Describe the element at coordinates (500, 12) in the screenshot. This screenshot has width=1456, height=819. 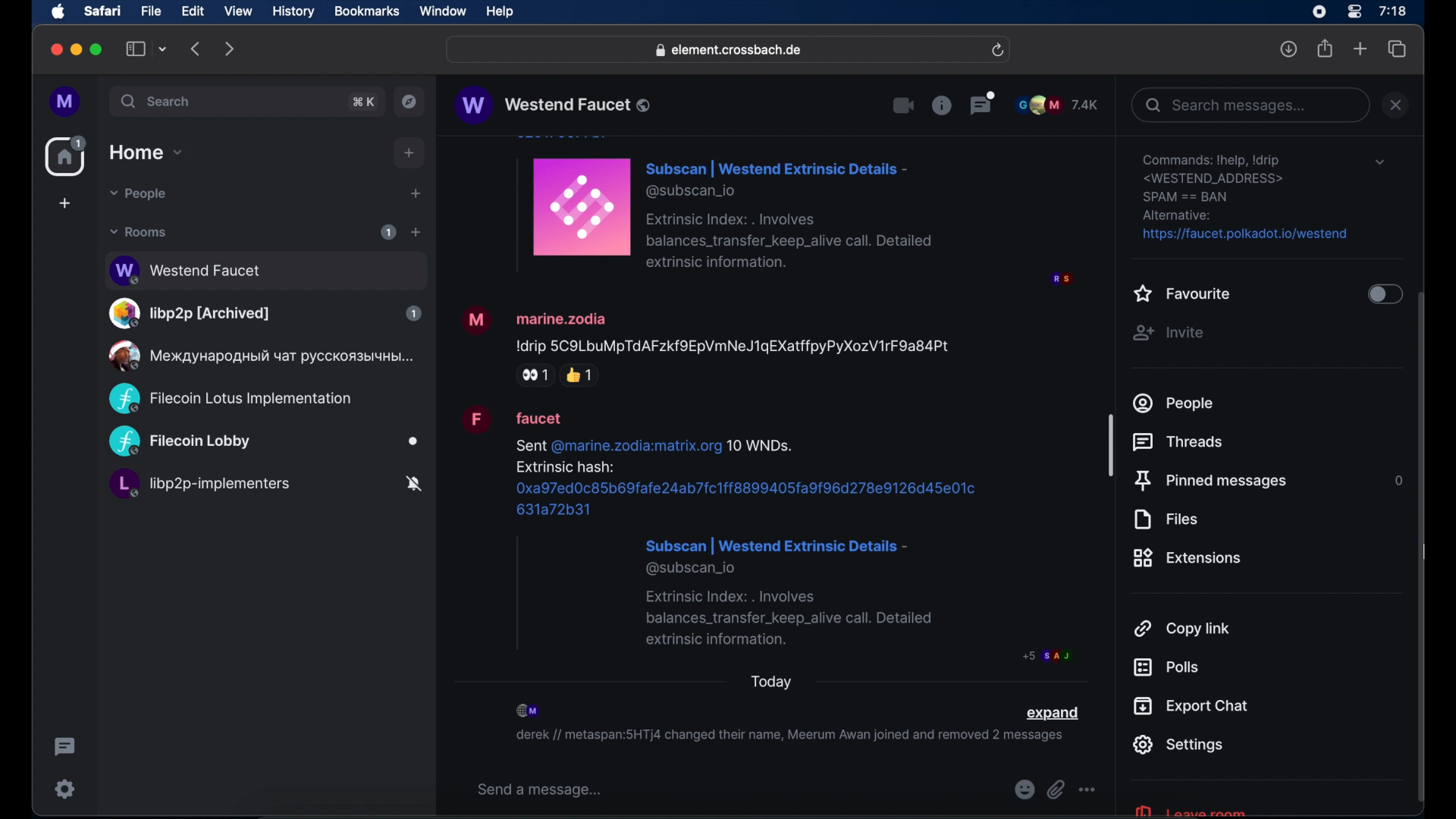
I see `help` at that location.